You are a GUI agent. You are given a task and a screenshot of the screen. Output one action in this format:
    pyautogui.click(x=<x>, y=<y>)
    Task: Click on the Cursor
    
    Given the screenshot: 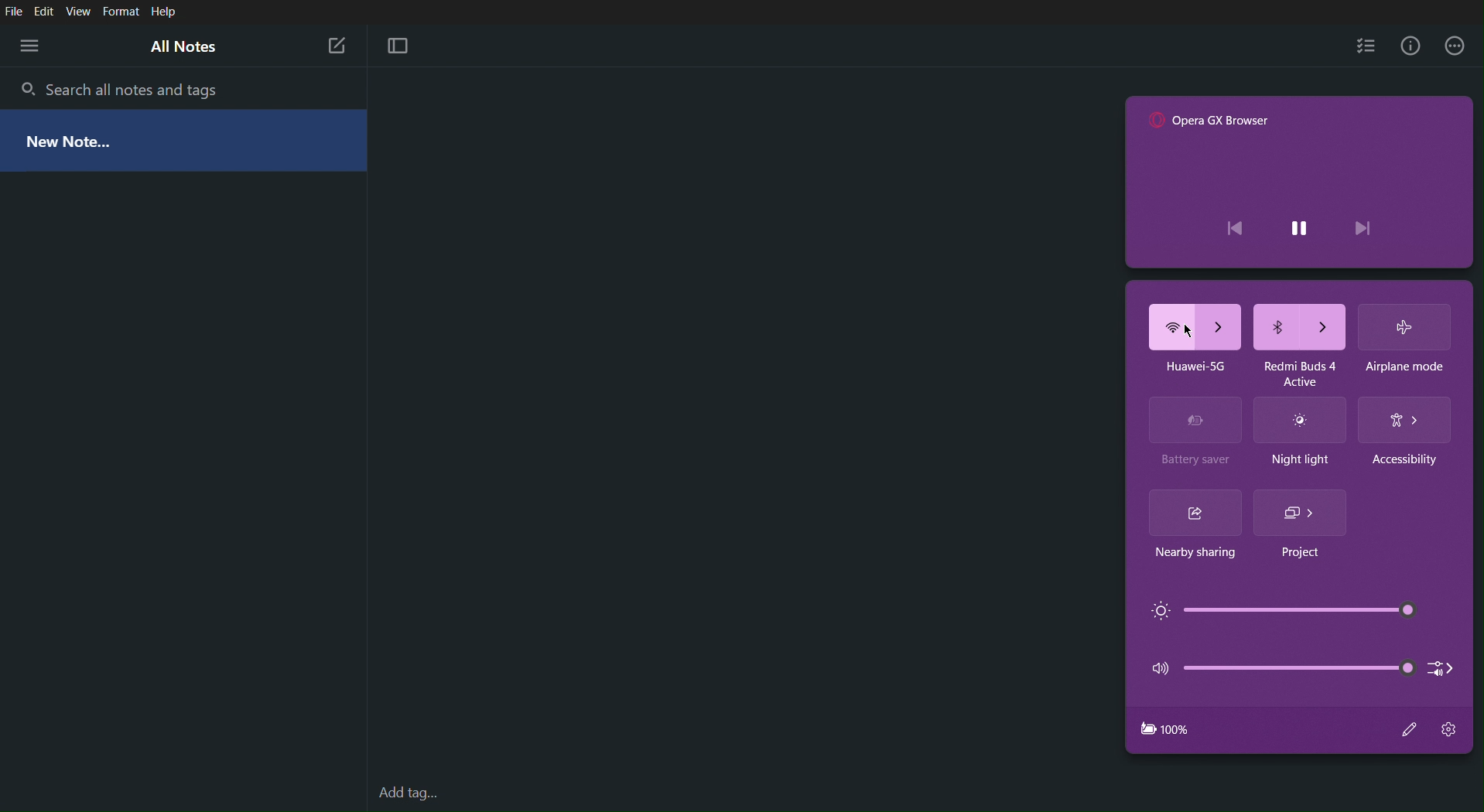 What is the action you would take?
    pyautogui.click(x=1187, y=331)
    